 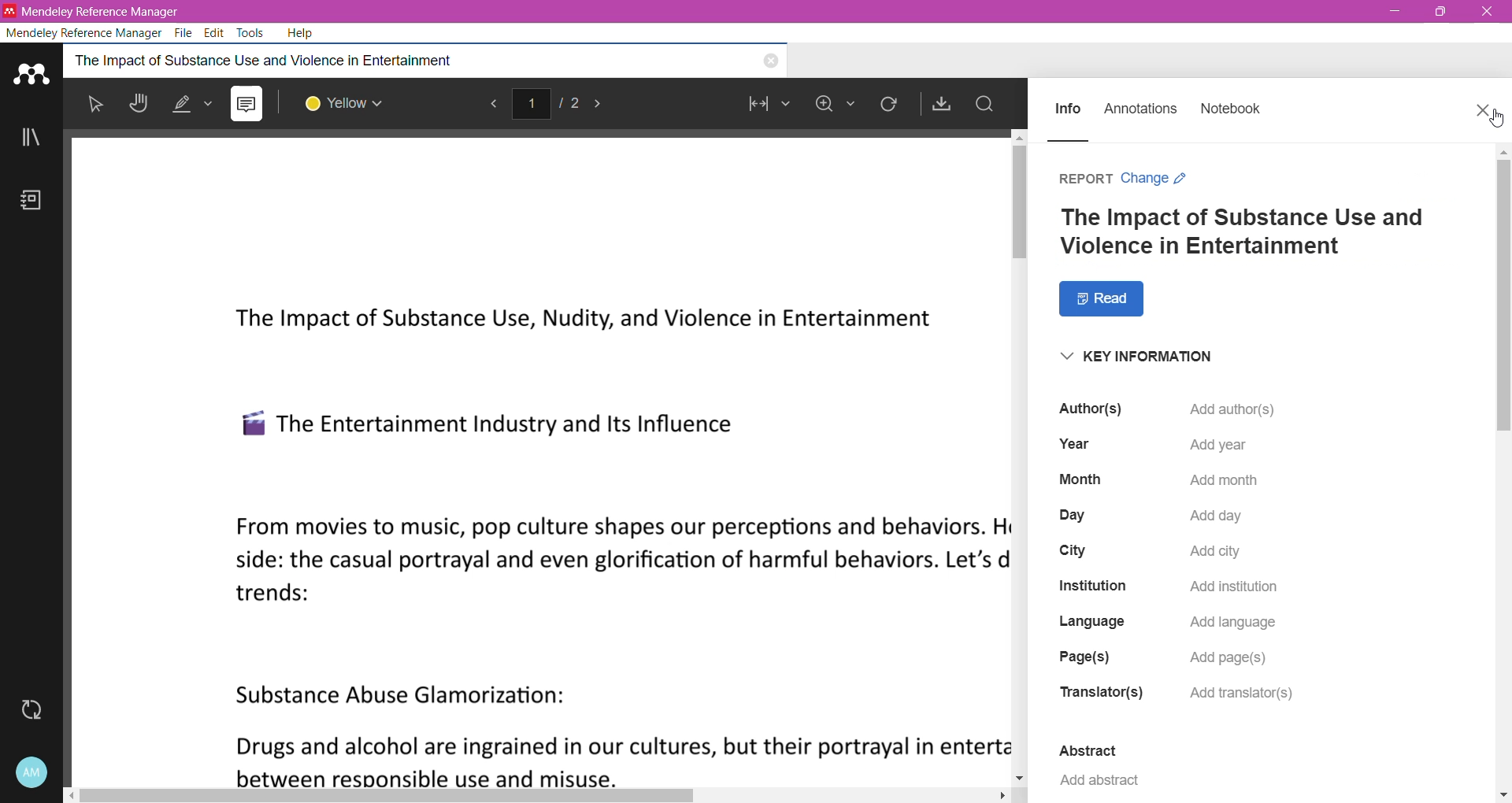 I want to click on File, so click(x=186, y=33).